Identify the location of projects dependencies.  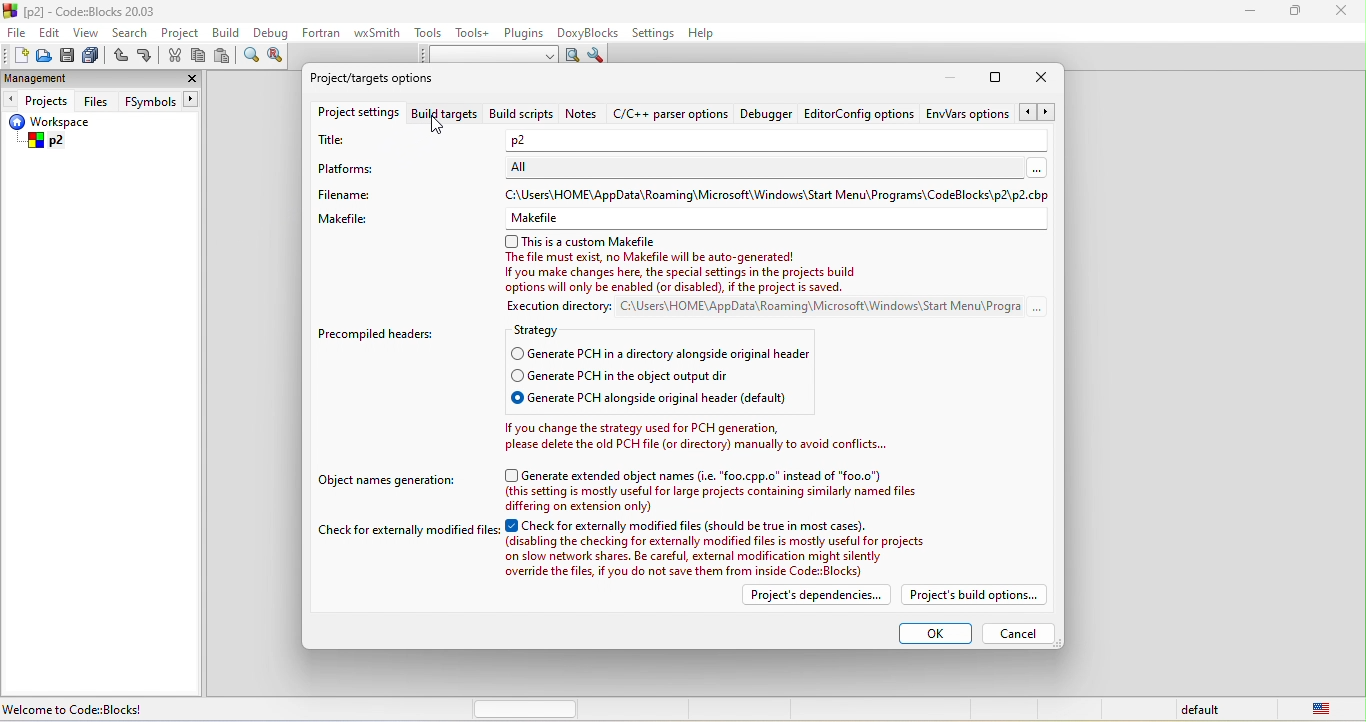
(821, 598).